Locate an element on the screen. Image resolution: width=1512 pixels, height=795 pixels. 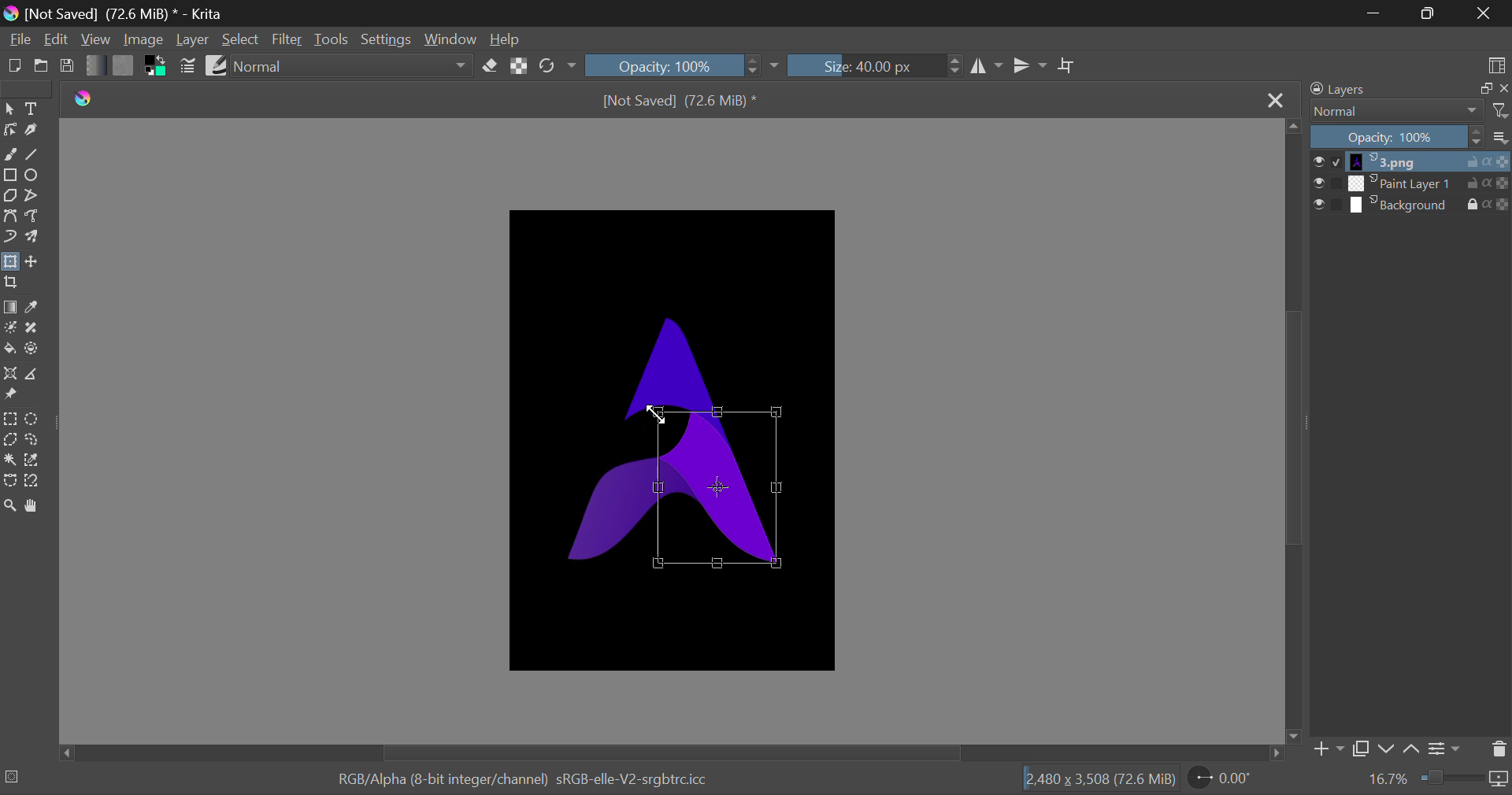
Page Rotation is located at coordinates (1230, 778).